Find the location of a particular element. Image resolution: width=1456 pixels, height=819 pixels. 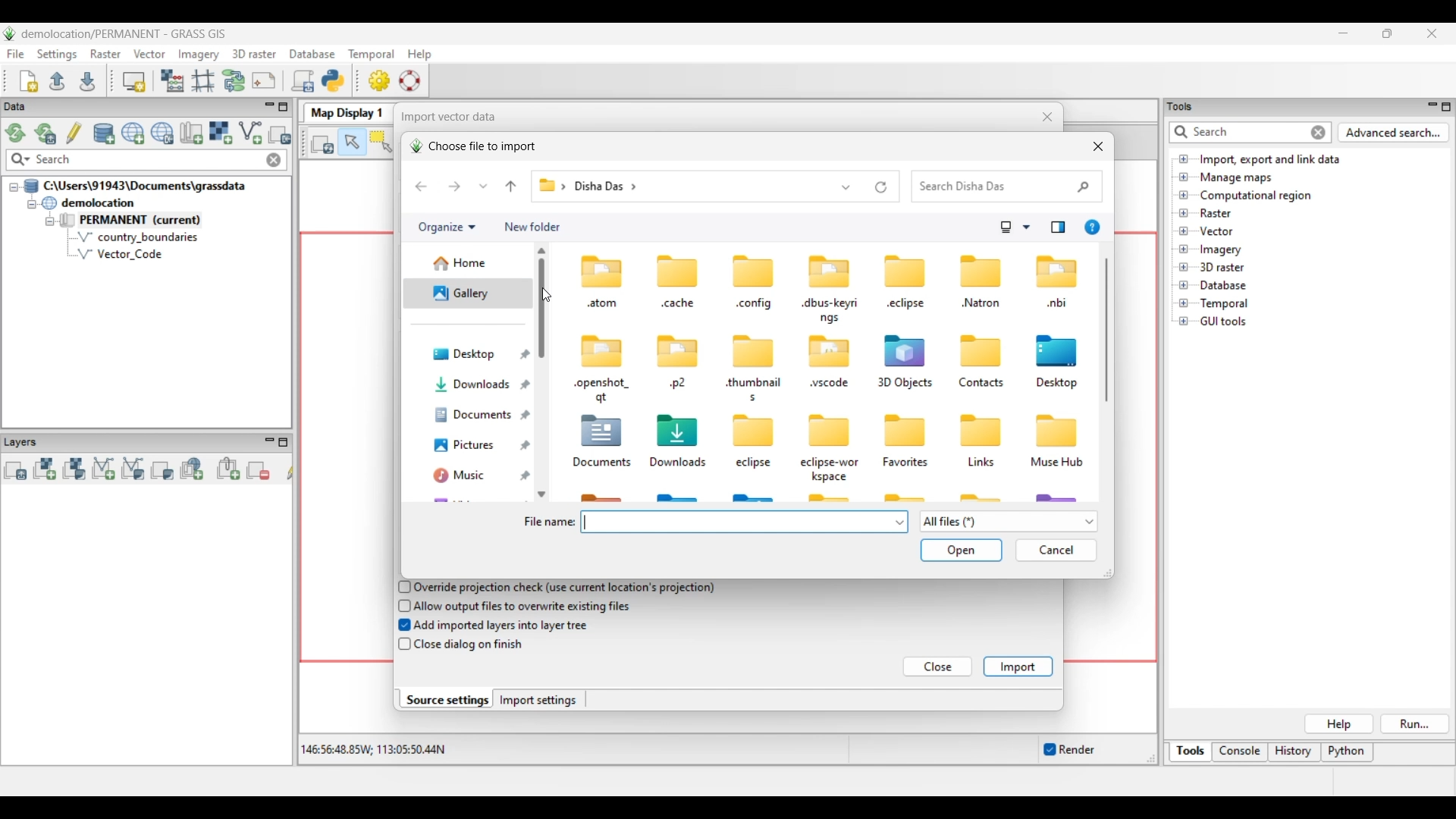

icon is located at coordinates (908, 350).